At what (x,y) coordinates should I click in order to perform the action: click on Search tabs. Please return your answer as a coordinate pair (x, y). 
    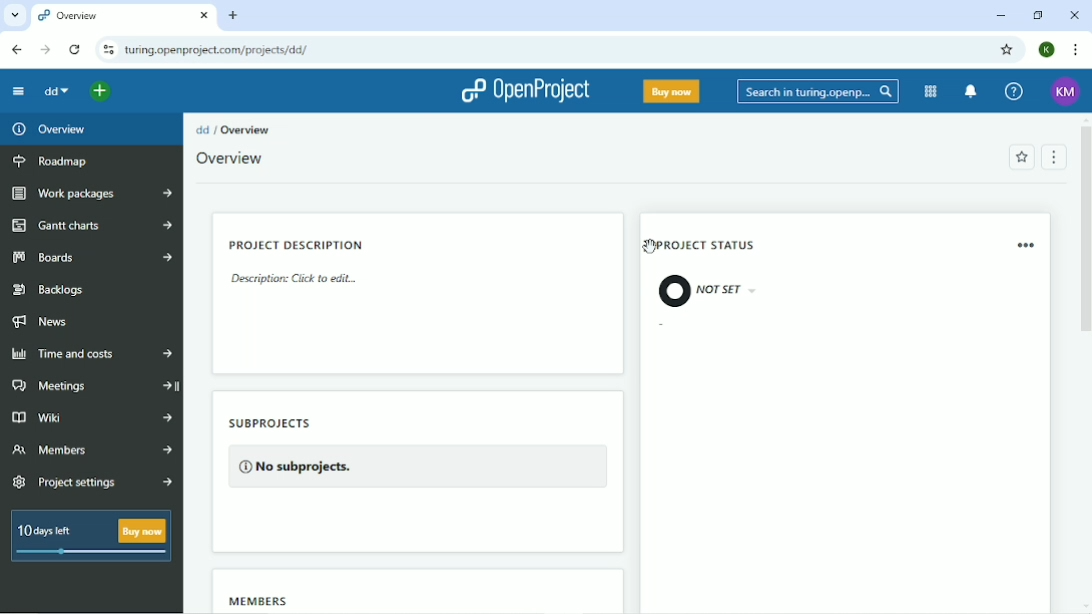
    Looking at the image, I should click on (14, 14).